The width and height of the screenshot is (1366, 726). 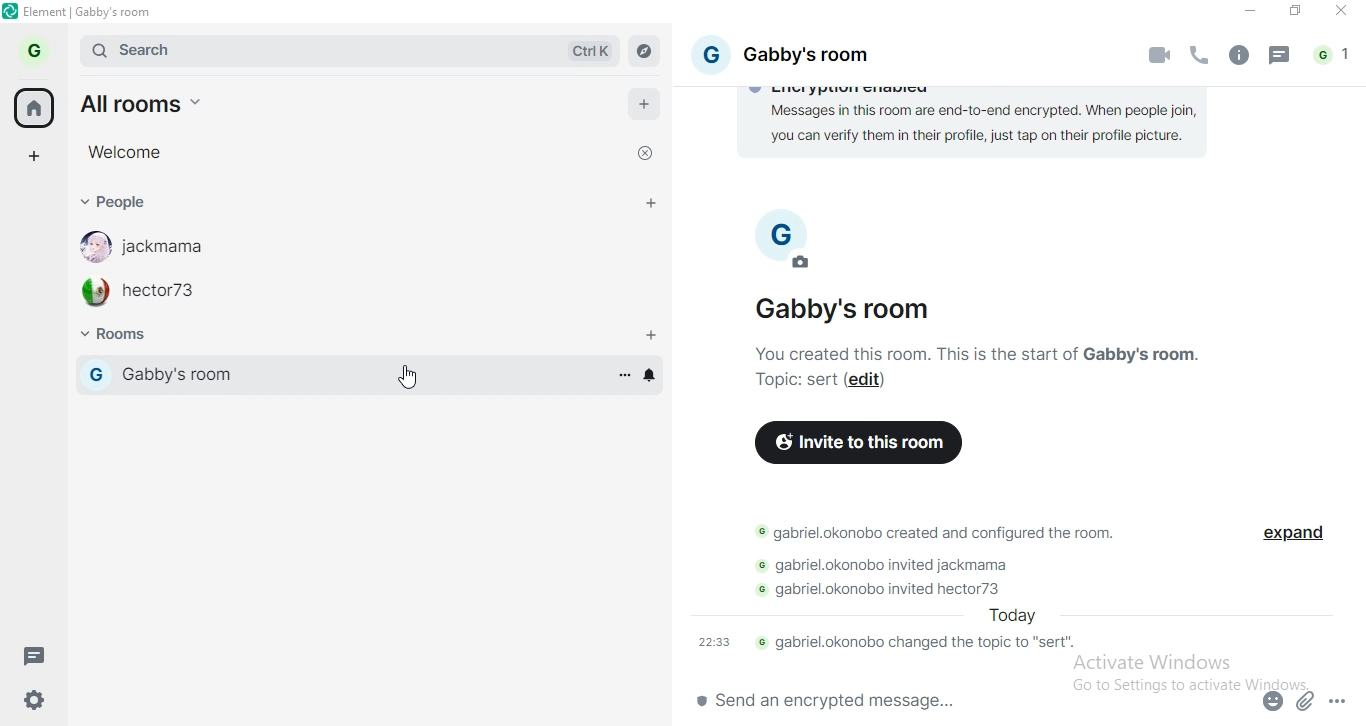 I want to click on rooms, so click(x=127, y=336).